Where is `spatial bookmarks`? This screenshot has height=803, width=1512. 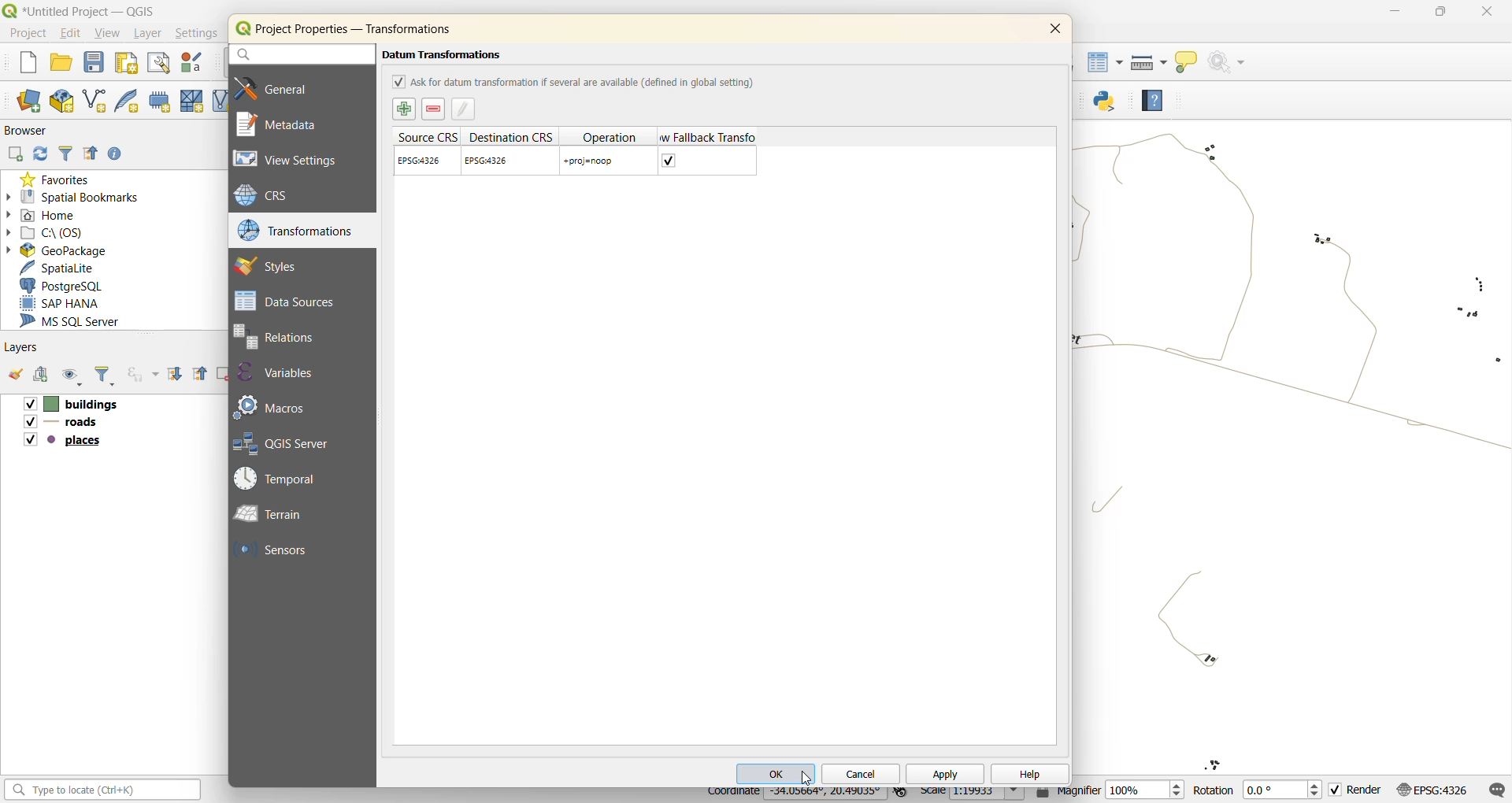 spatial bookmarks is located at coordinates (74, 196).